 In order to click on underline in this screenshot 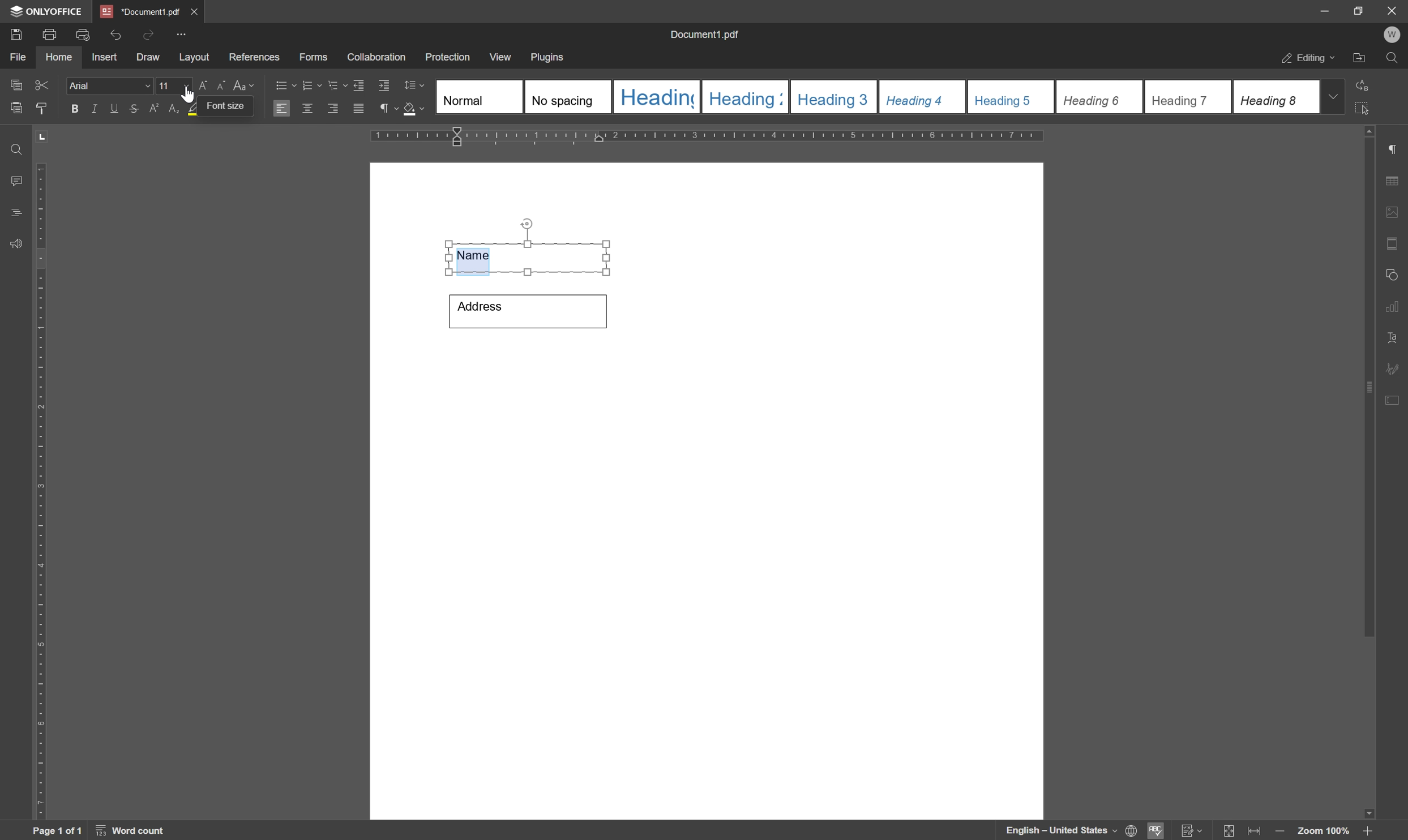, I will do `click(114, 108)`.